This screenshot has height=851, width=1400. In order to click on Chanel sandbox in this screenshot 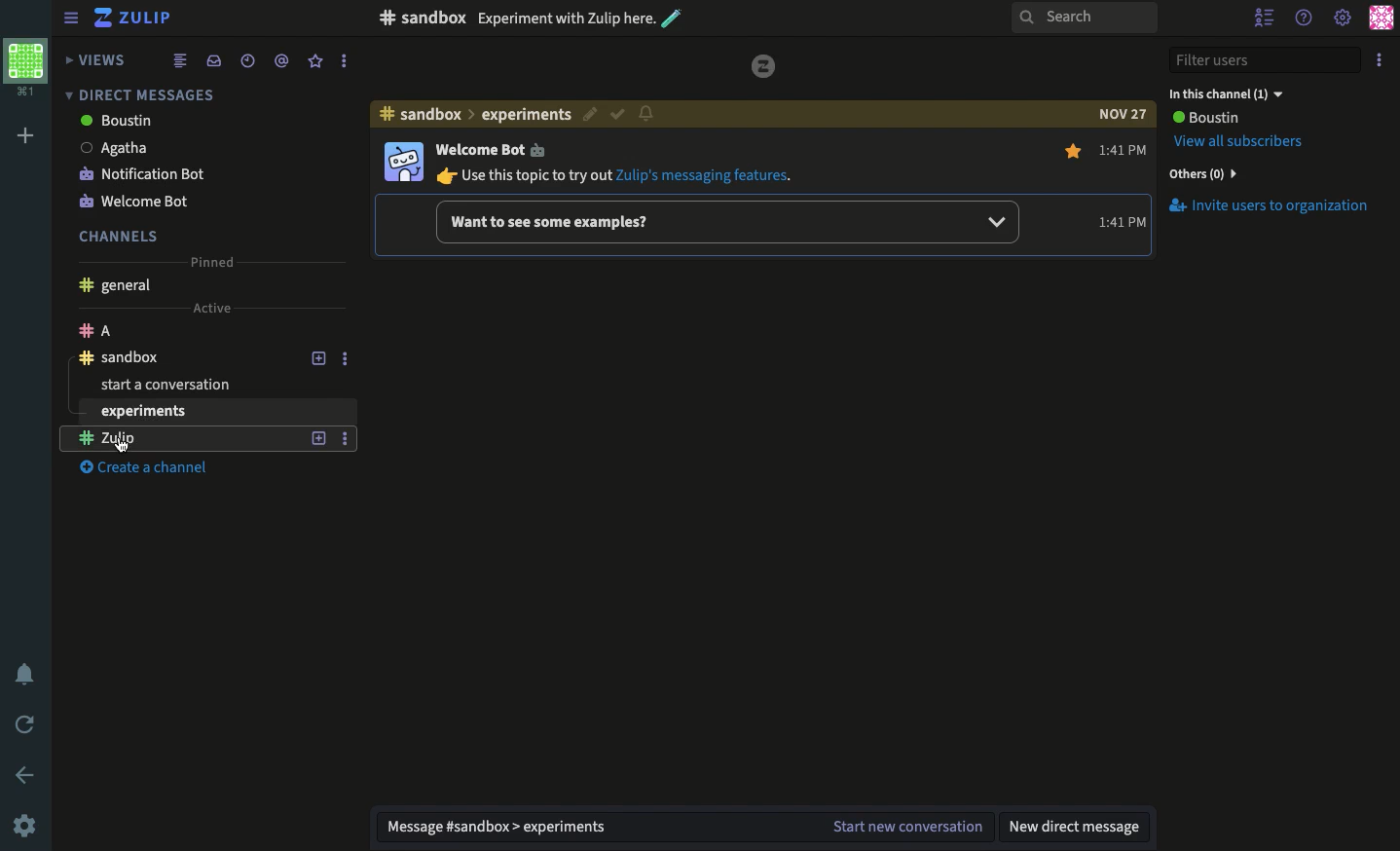, I will do `click(185, 357)`.